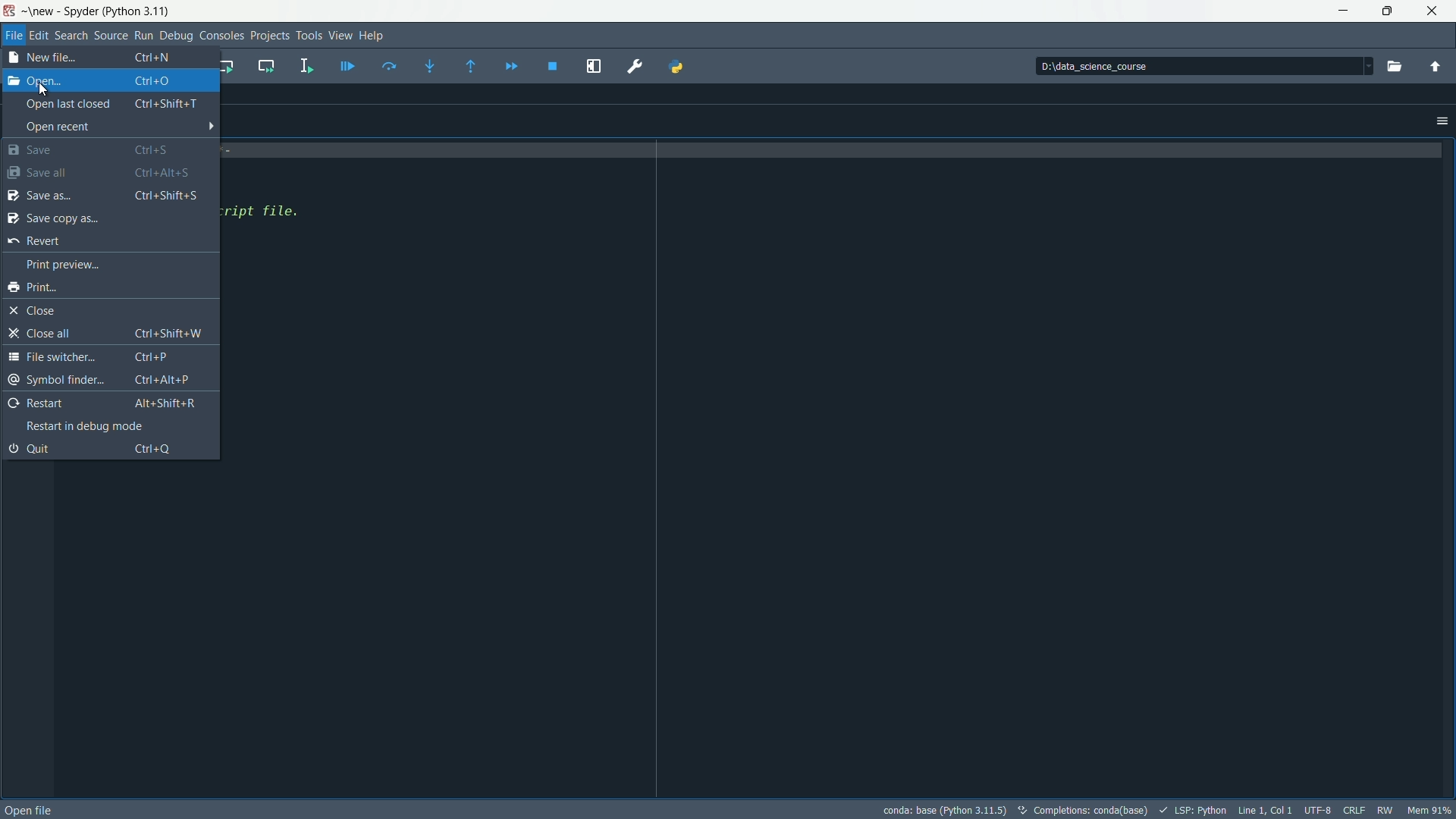 The width and height of the screenshot is (1456, 819). Describe the element at coordinates (1442, 121) in the screenshot. I see `options` at that location.